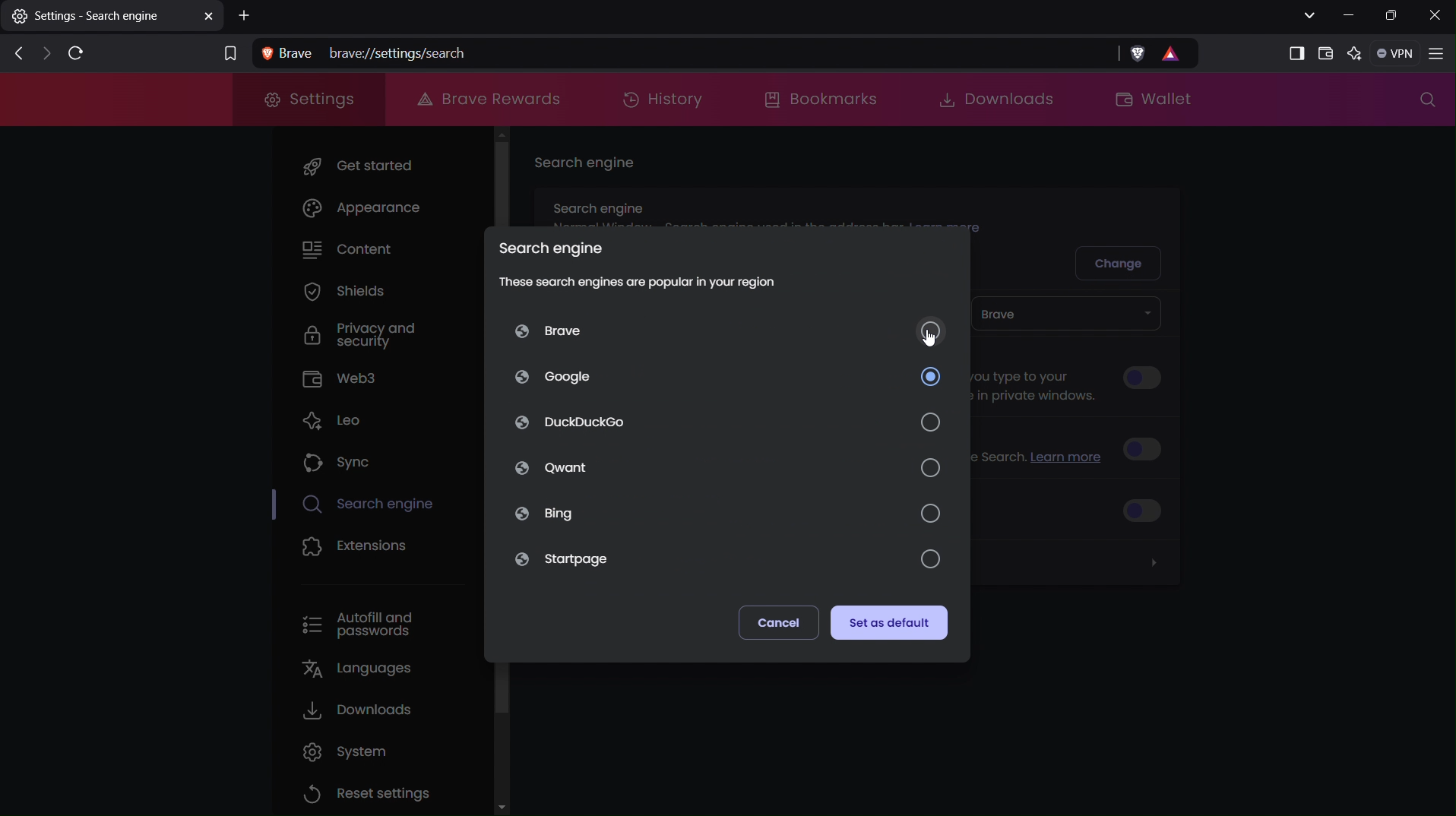 The image size is (1456, 816). I want to click on Brave, so click(1068, 314).